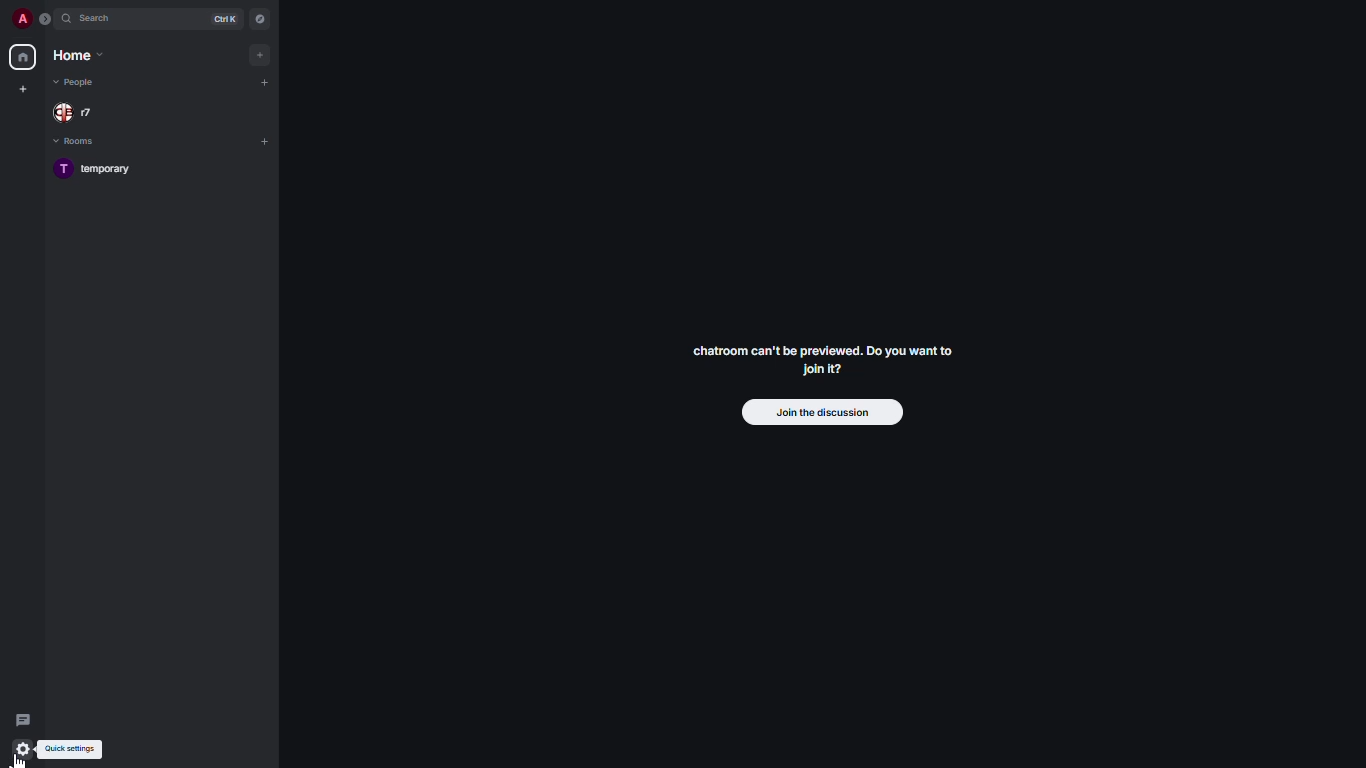  What do you see at coordinates (77, 140) in the screenshot?
I see `rooms` at bounding box center [77, 140].